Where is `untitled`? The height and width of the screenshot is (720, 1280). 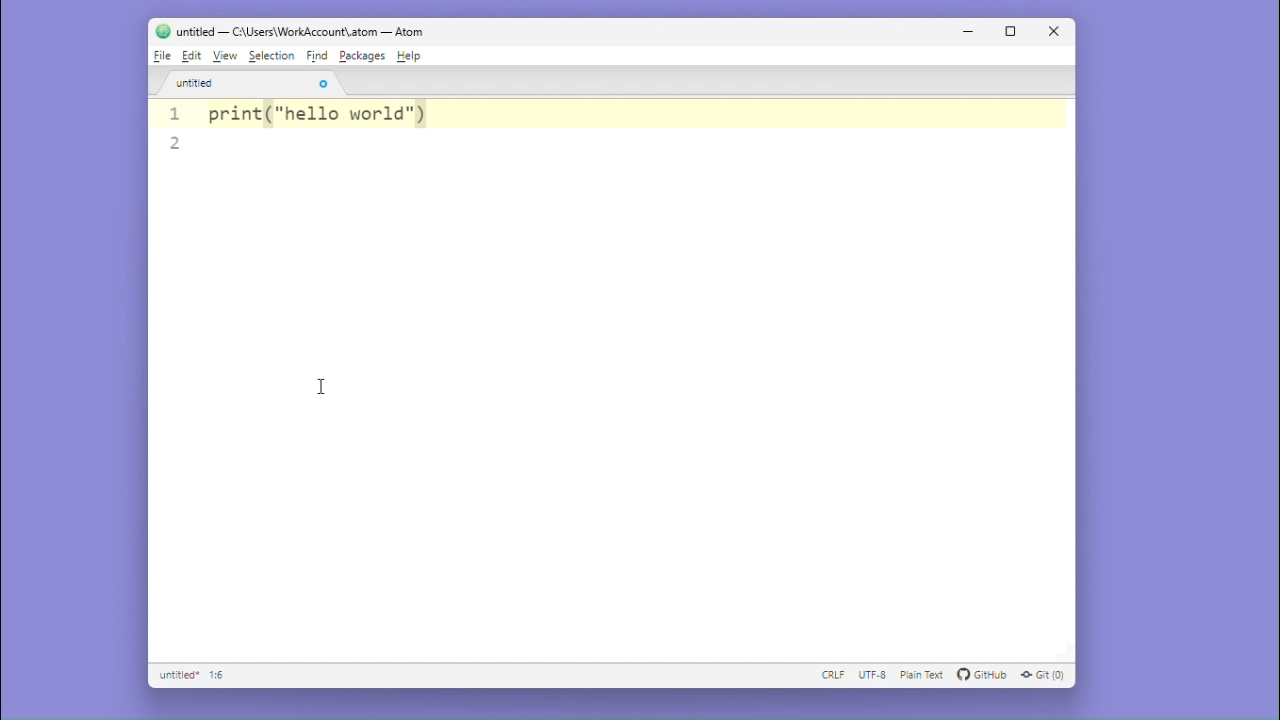
untitled is located at coordinates (256, 83).